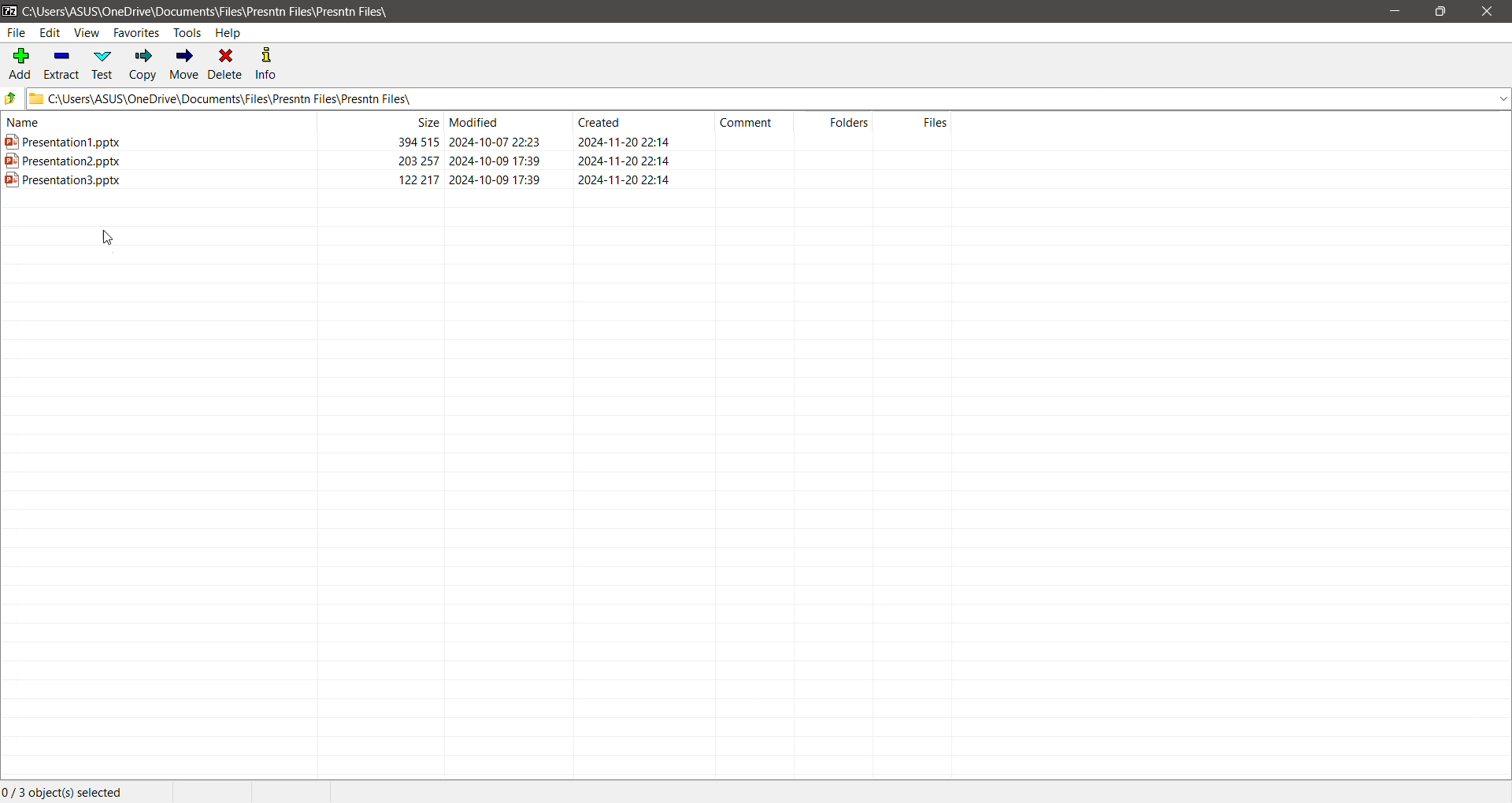  What do you see at coordinates (425, 121) in the screenshot?
I see `size` at bounding box center [425, 121].